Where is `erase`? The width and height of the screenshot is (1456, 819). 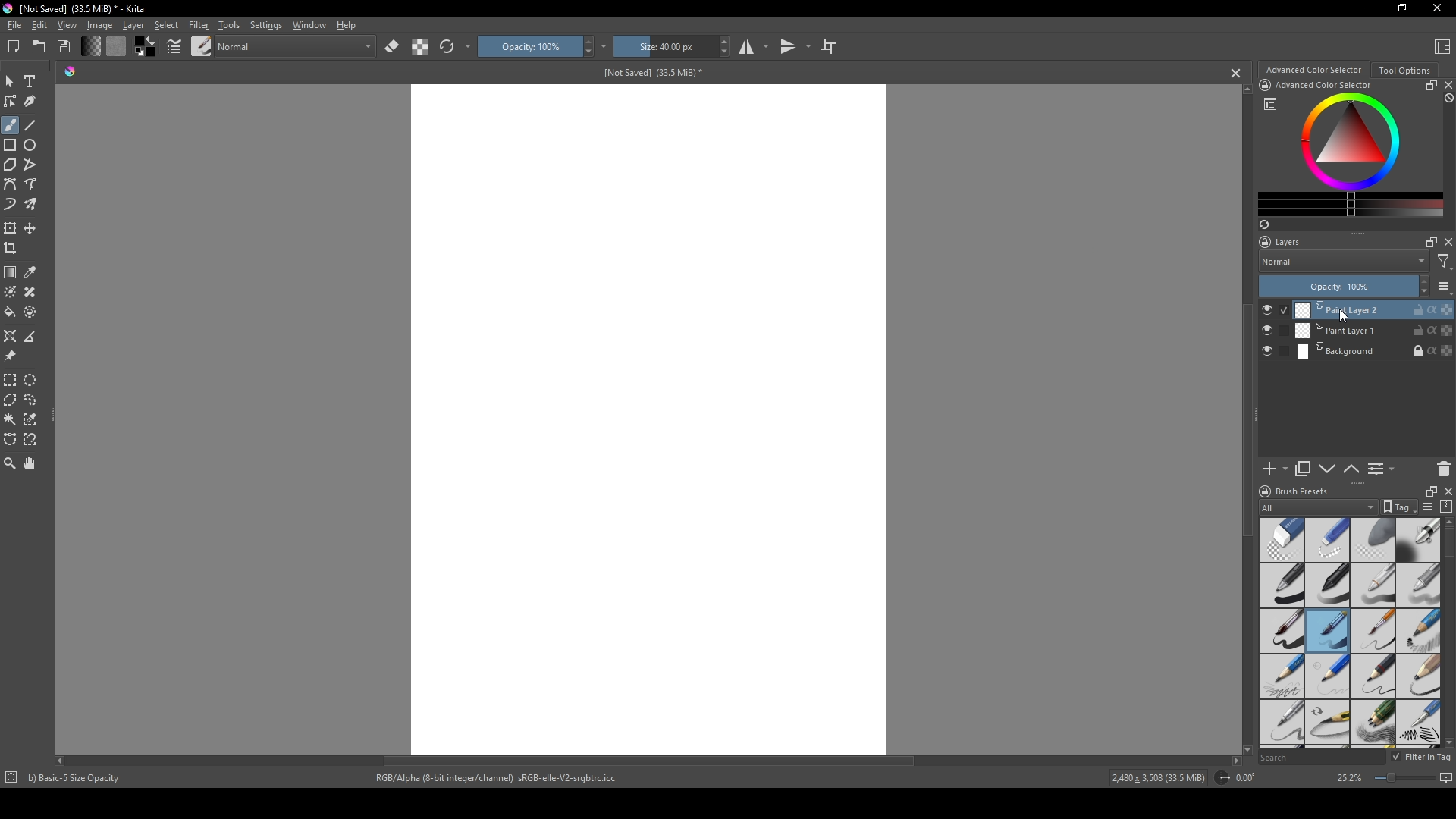
erase is located at coordinates (393, 47).